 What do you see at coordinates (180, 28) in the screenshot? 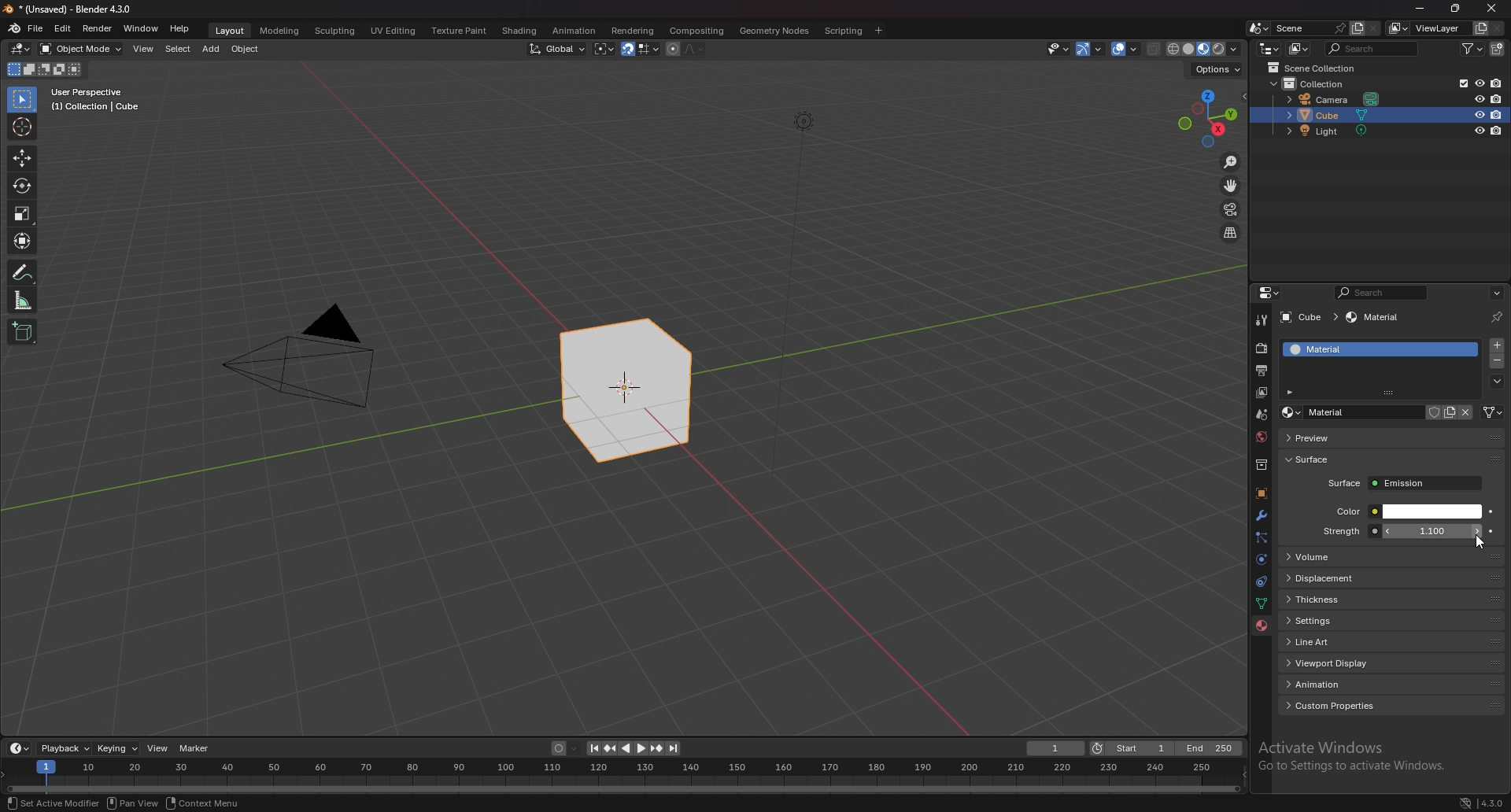
I see `help` at bounding box center [180, 28].